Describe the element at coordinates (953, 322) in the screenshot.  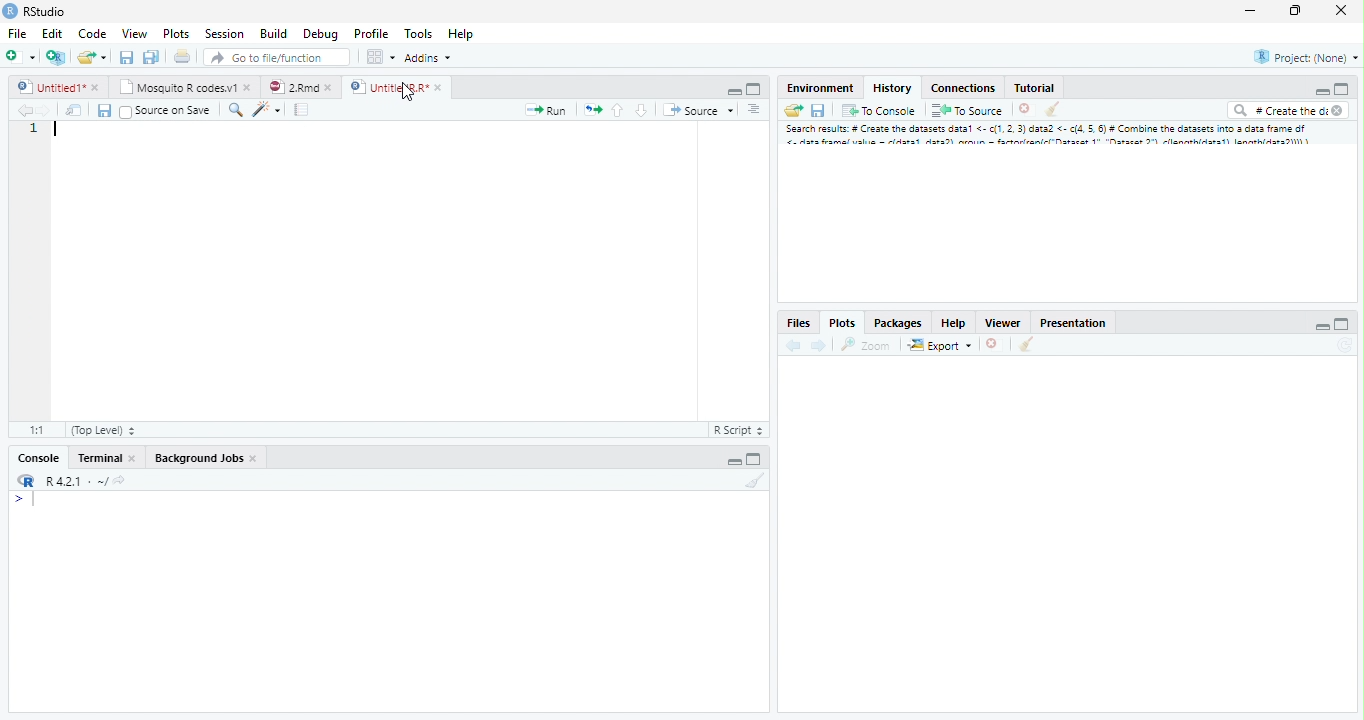
I see `Help` at that location.